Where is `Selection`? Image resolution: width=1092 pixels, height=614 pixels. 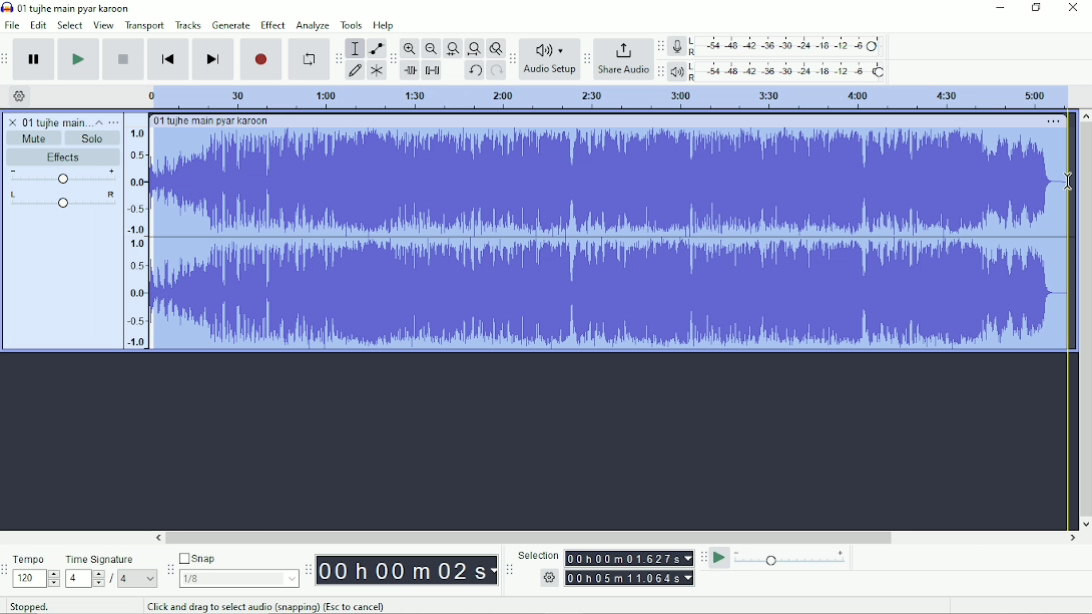
Selection is located at coordinates (538, 554).